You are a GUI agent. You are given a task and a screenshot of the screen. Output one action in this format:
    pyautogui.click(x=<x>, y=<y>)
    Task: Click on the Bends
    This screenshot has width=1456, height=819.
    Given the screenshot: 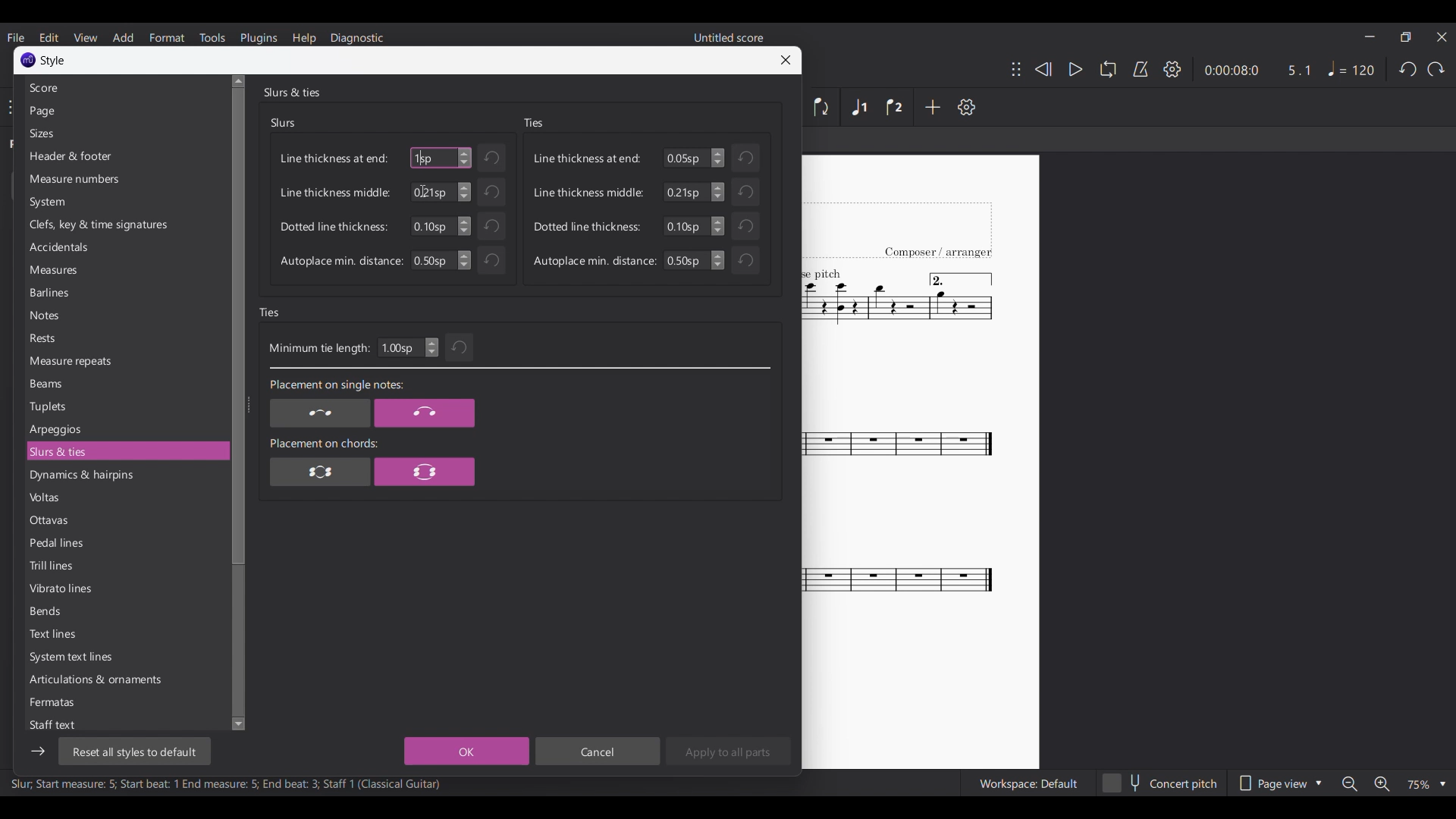 What is the action you would take?
    pyautogui.click(x=125, y=611)
    